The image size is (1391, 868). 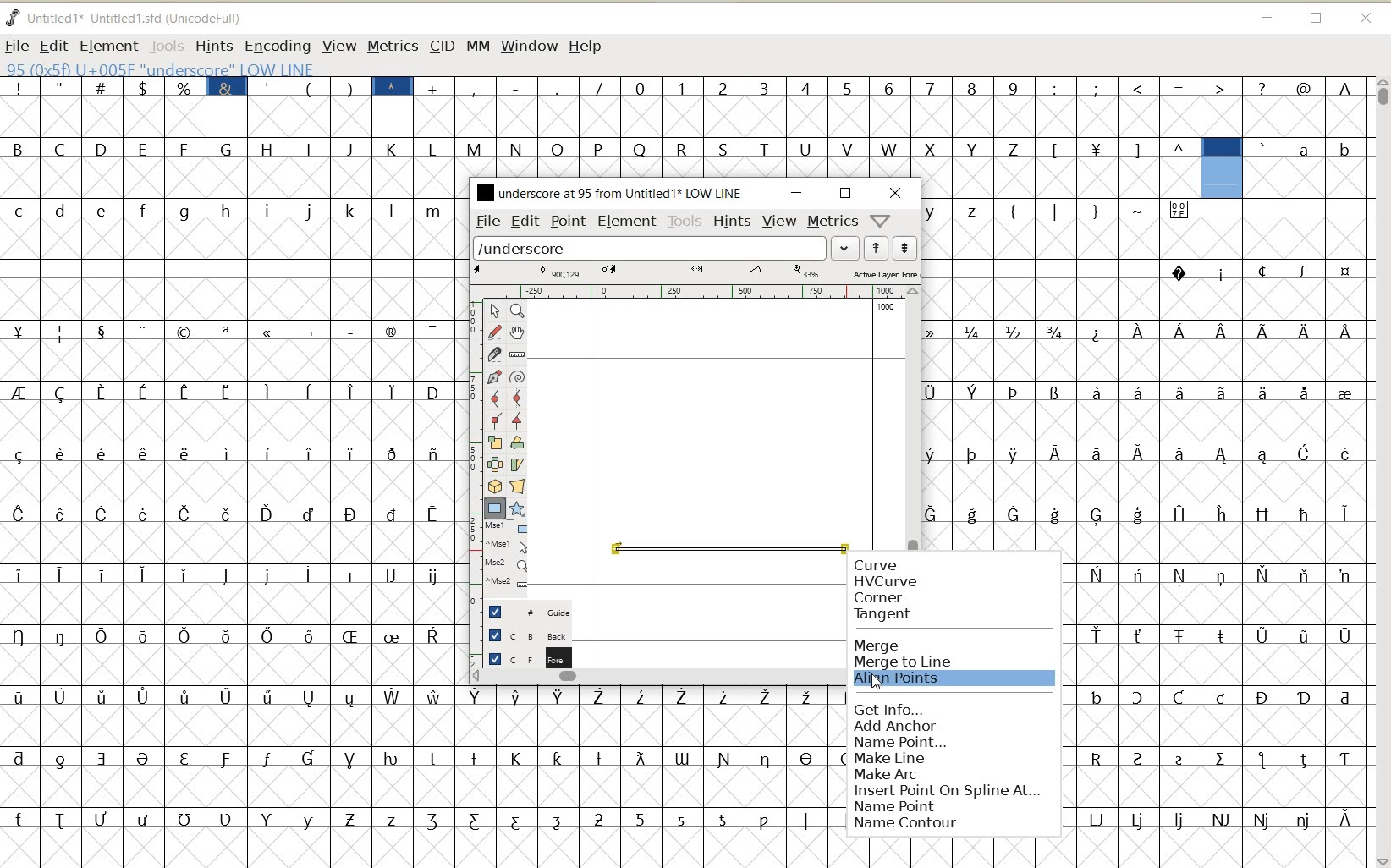 What do you see at coordinates (832, 220) in the screenshot?
I see `metrics` at bounding box center [832, 220].